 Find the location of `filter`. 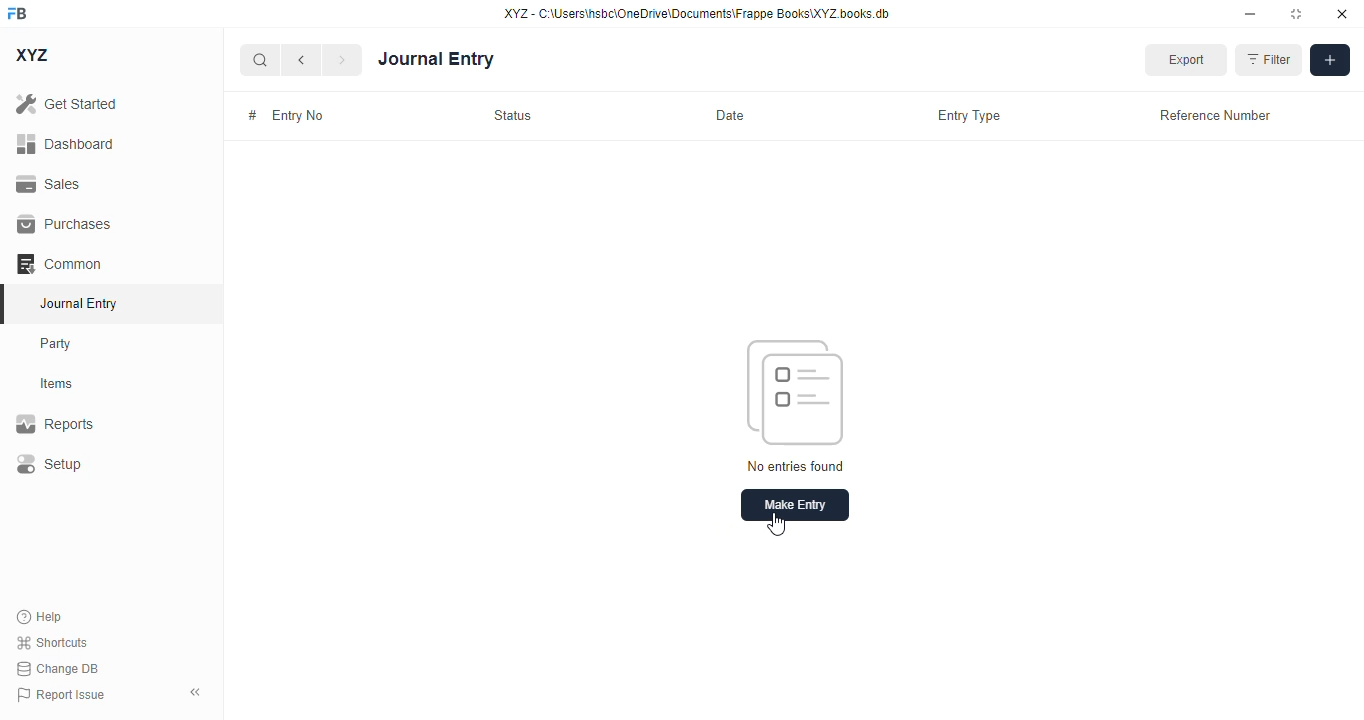

filter is located at coordinates (1271, 61).